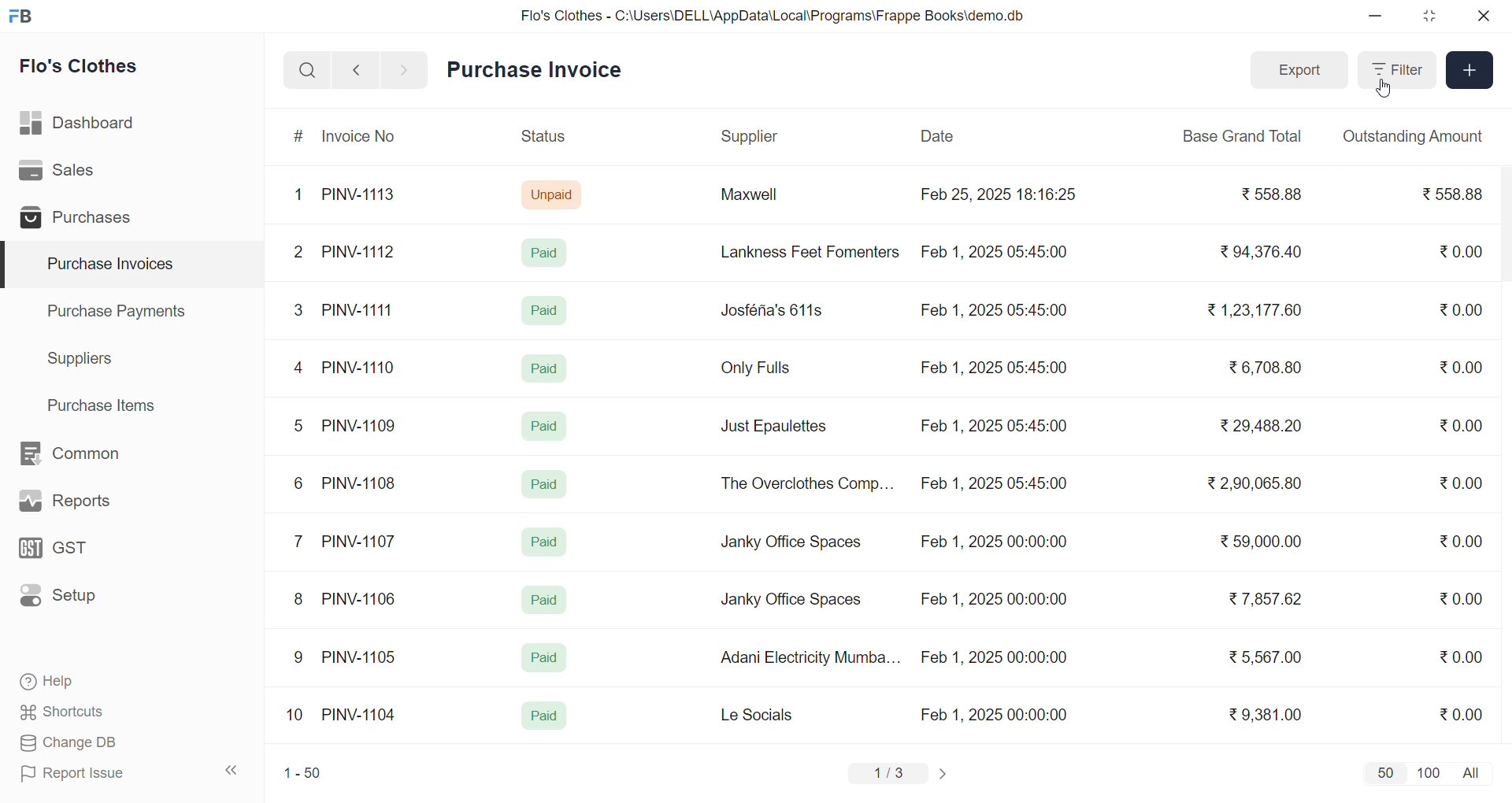  Describe the element at coordinates (362, 542) in the screenshot. I see `PINV-1107` at that location.